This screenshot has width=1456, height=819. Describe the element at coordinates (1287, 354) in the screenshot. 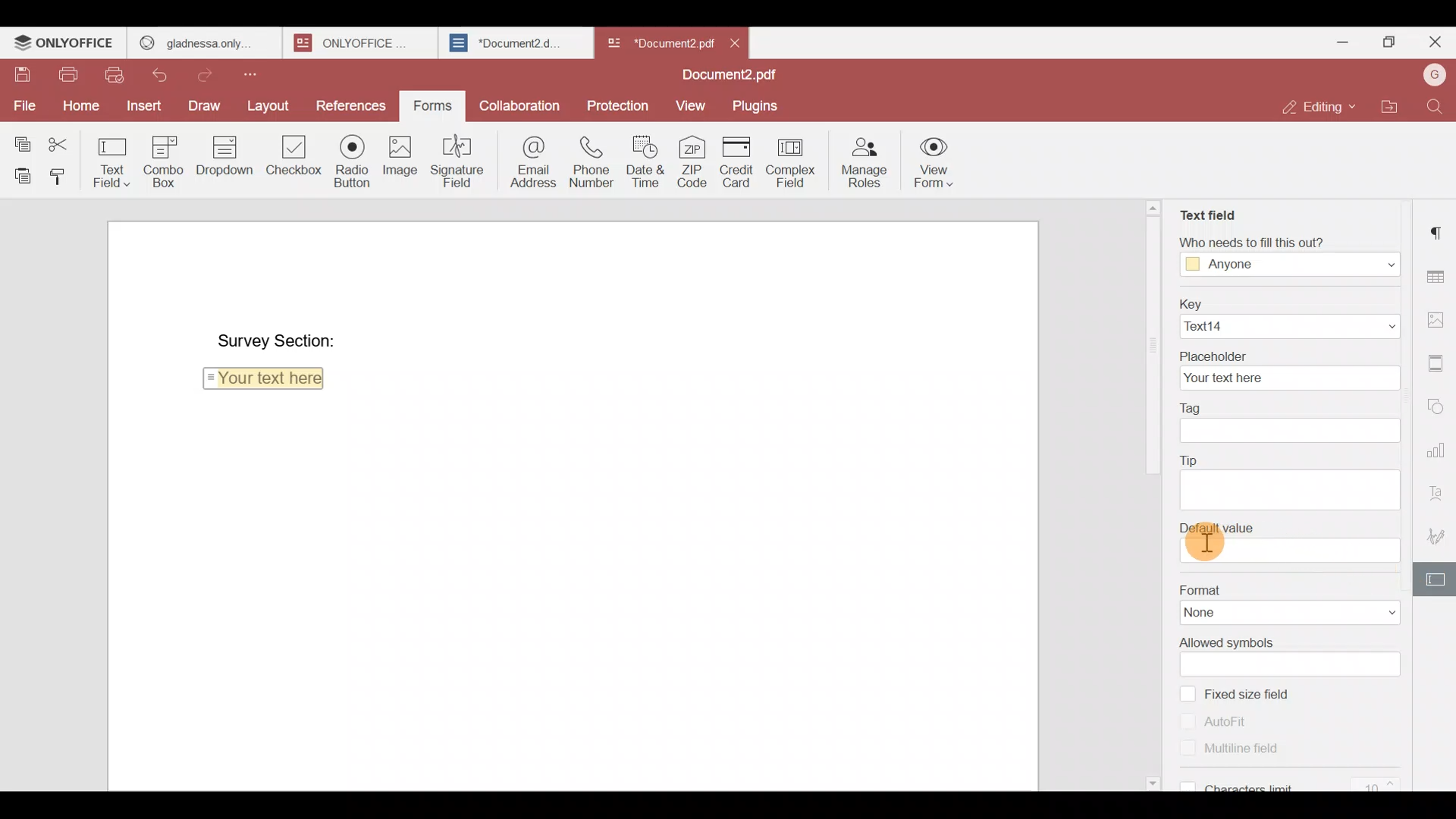

I see `Placeholder` at that location.